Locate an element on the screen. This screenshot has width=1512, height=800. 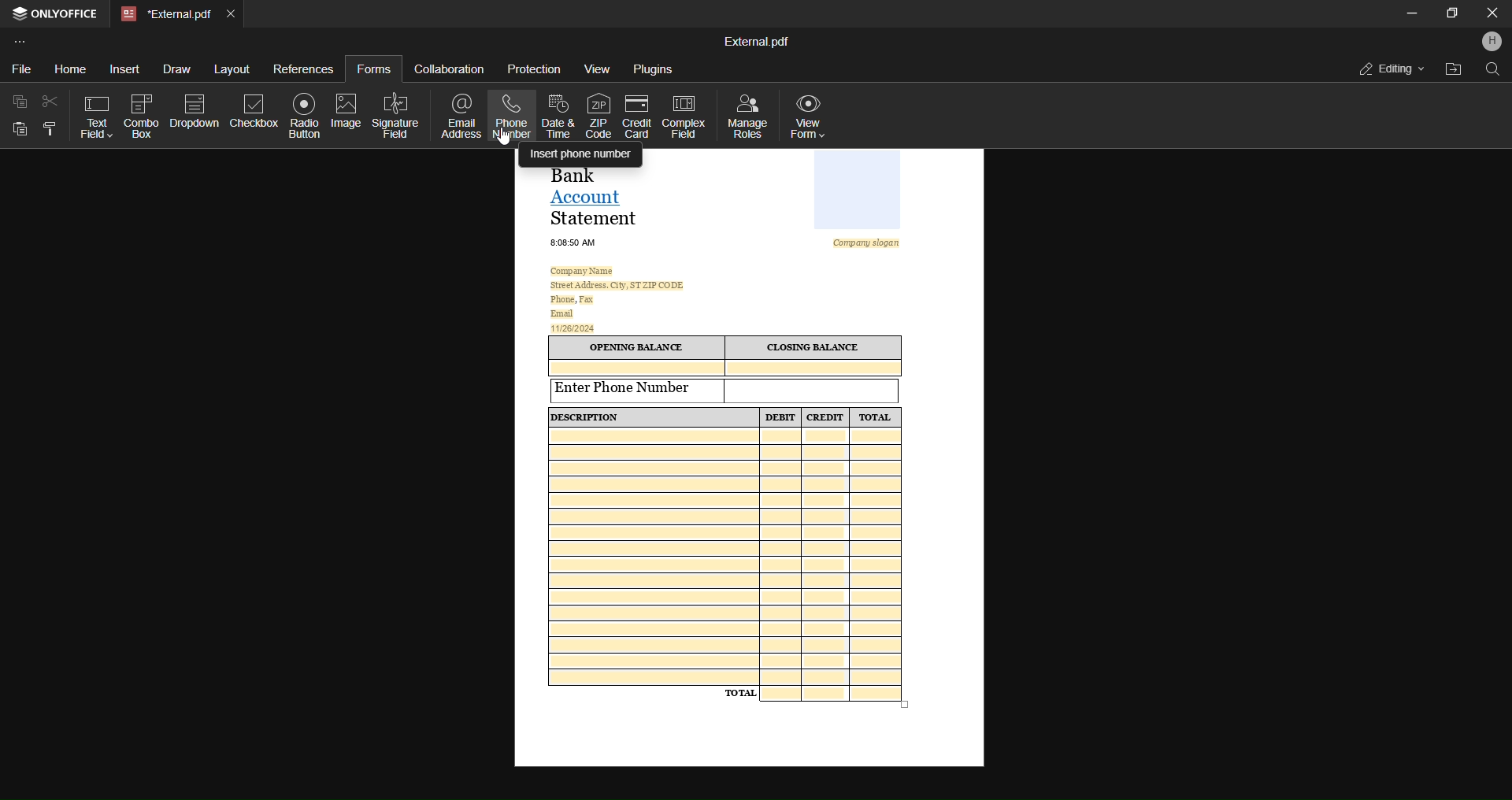
External.pdf(file name) is located at coordinates (759, 40).